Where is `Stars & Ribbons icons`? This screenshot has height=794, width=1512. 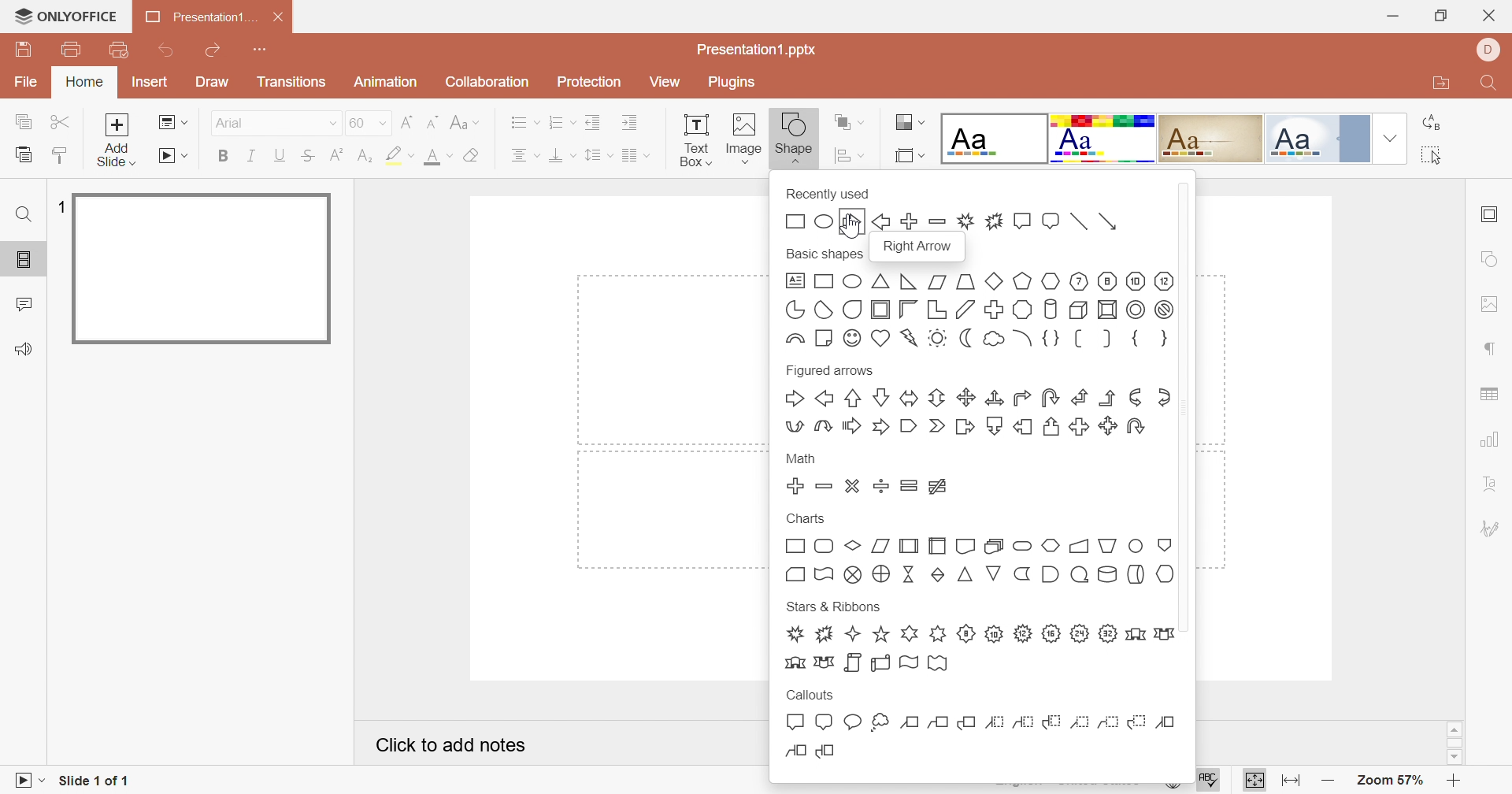 Stars & Ribbons icons is located at coordinates (977, 648).